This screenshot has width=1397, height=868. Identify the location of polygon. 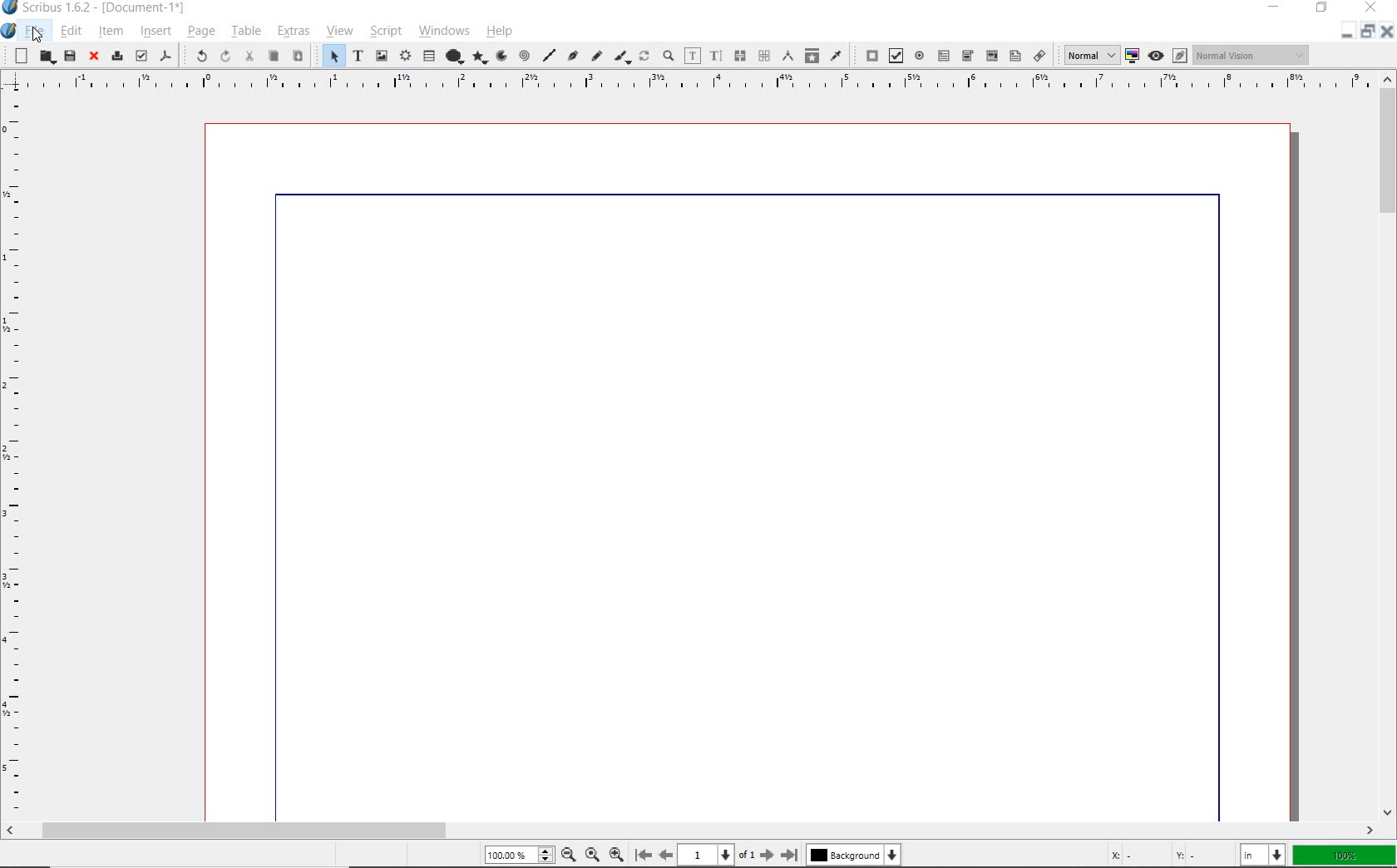
(481, 57).